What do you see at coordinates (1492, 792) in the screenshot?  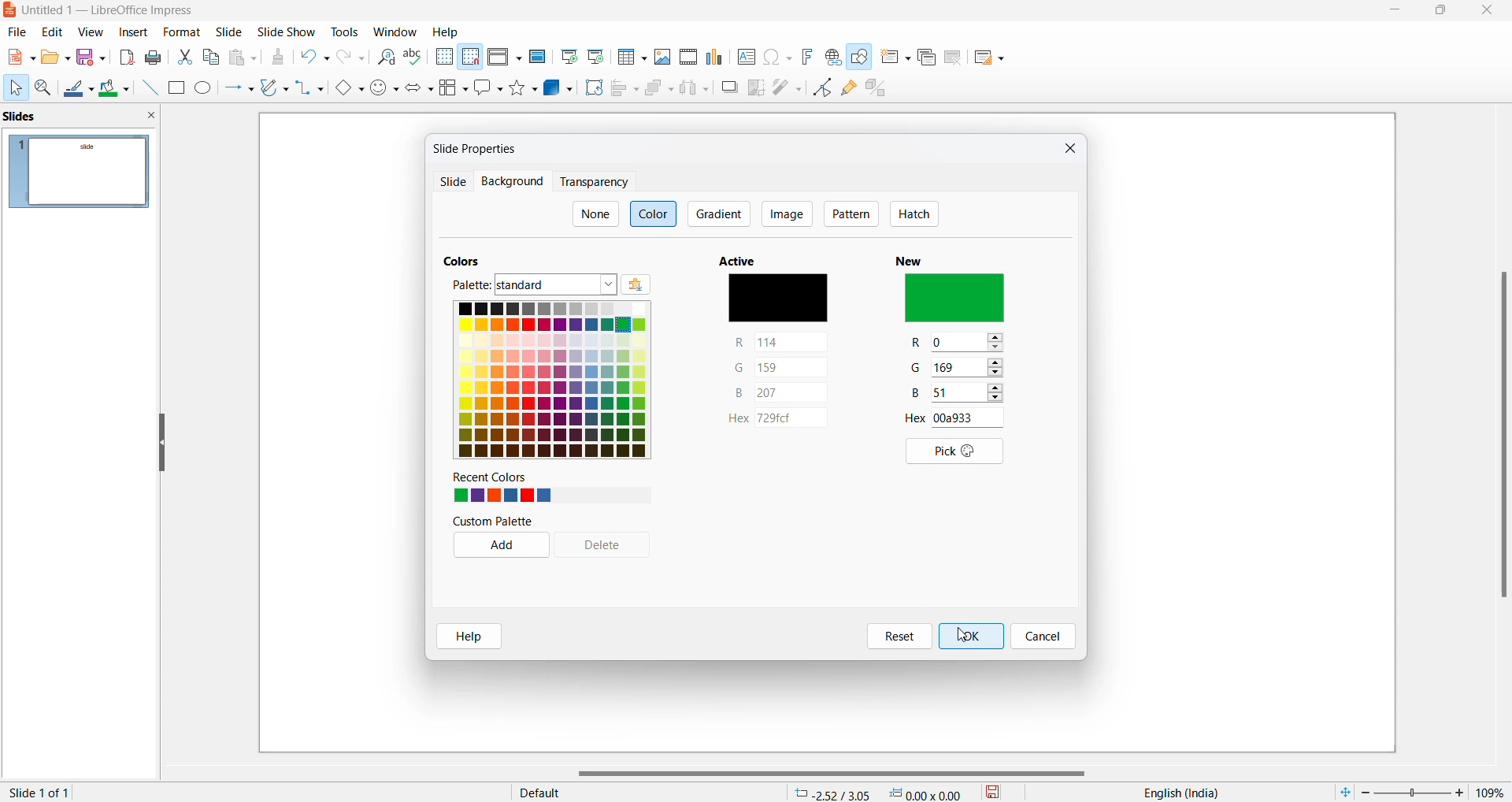 I see `zoom percentage` at bounding box center [1492, 792].